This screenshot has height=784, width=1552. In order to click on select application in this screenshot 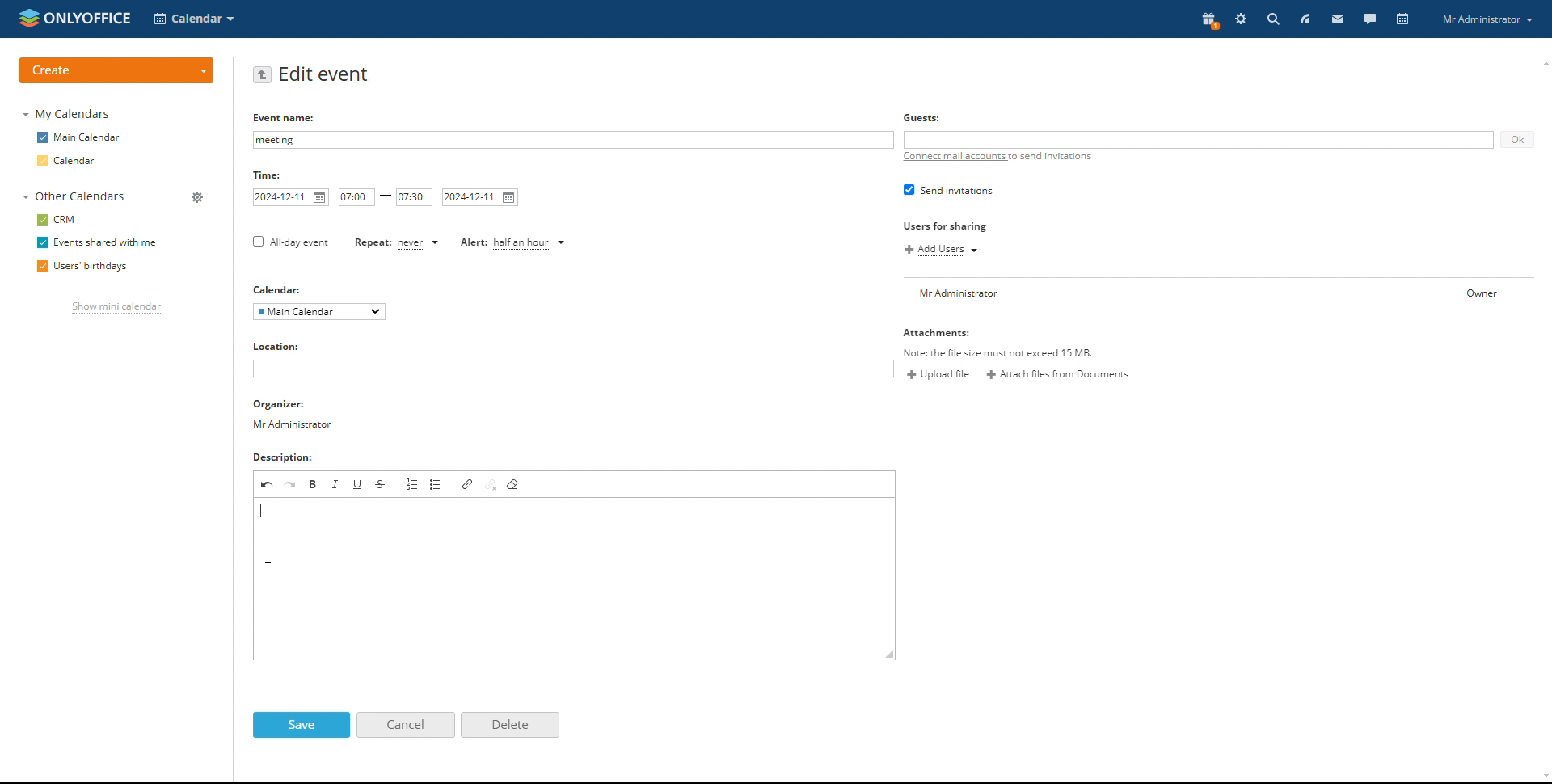, I will do `click(196, 19)`.